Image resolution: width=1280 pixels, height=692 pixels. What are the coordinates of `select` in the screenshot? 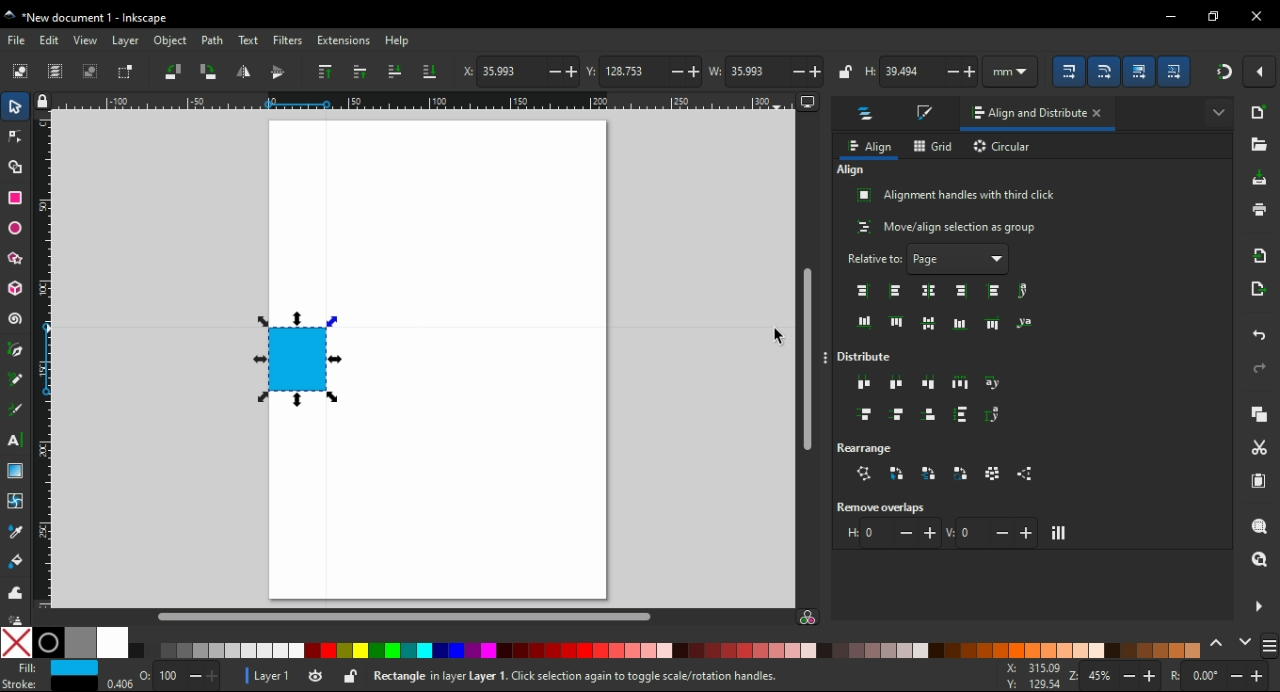 It's located at (17, 107).